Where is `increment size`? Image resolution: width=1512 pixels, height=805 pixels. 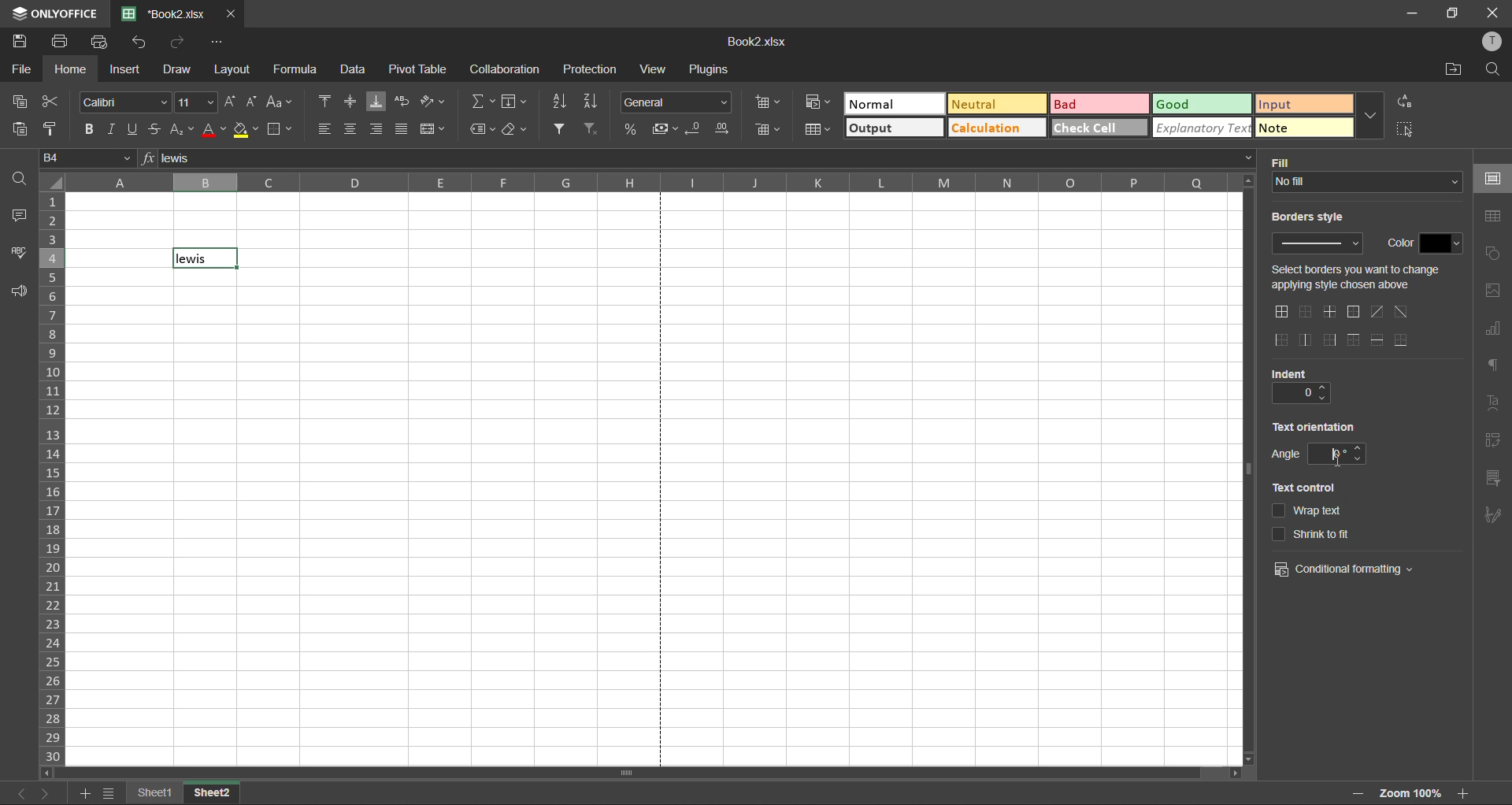 increment size is located at coordinates (230, 103).